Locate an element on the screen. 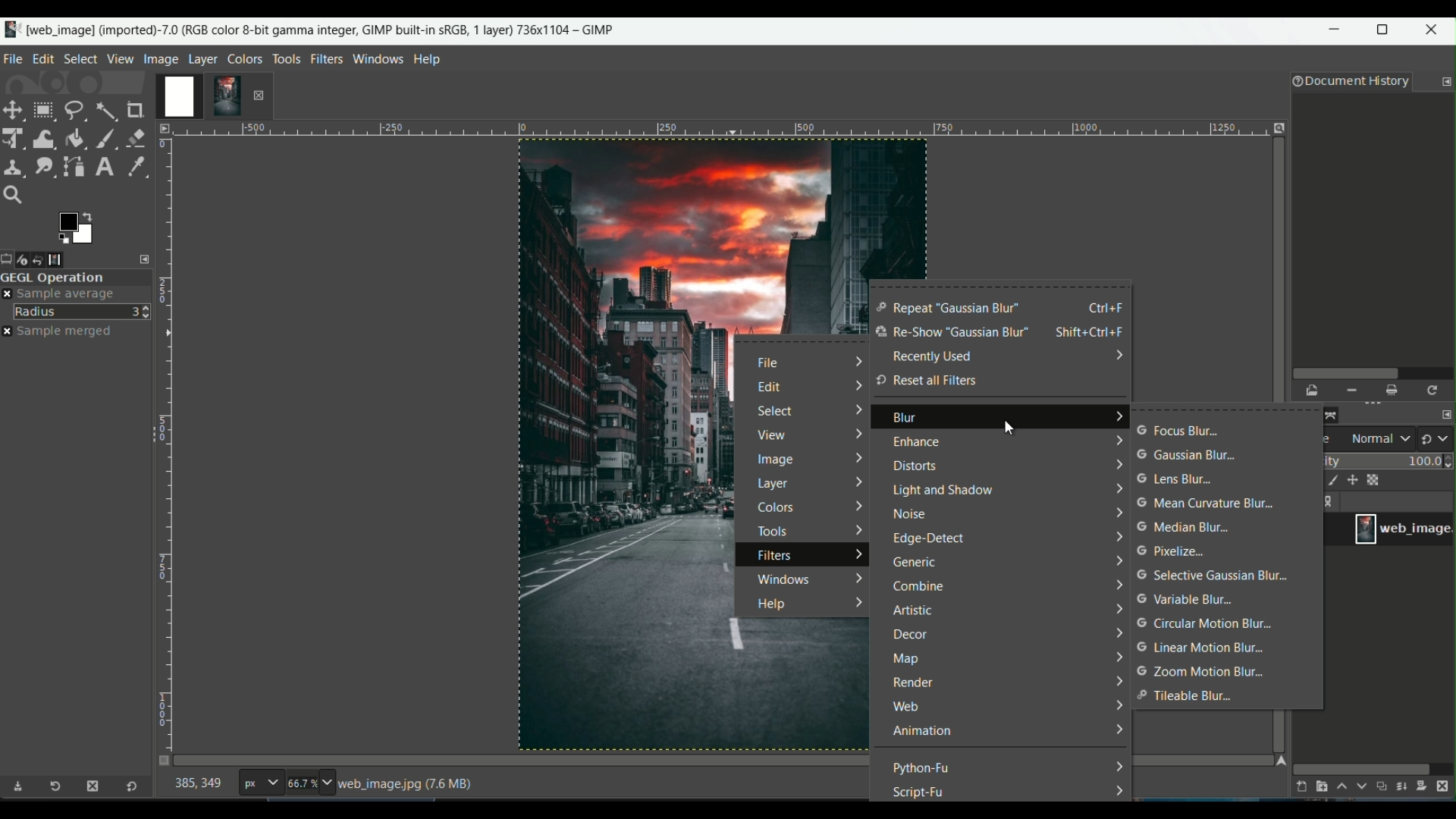 This screenshot has width=1456, height=819. options is located at coordinates (1332, 503).